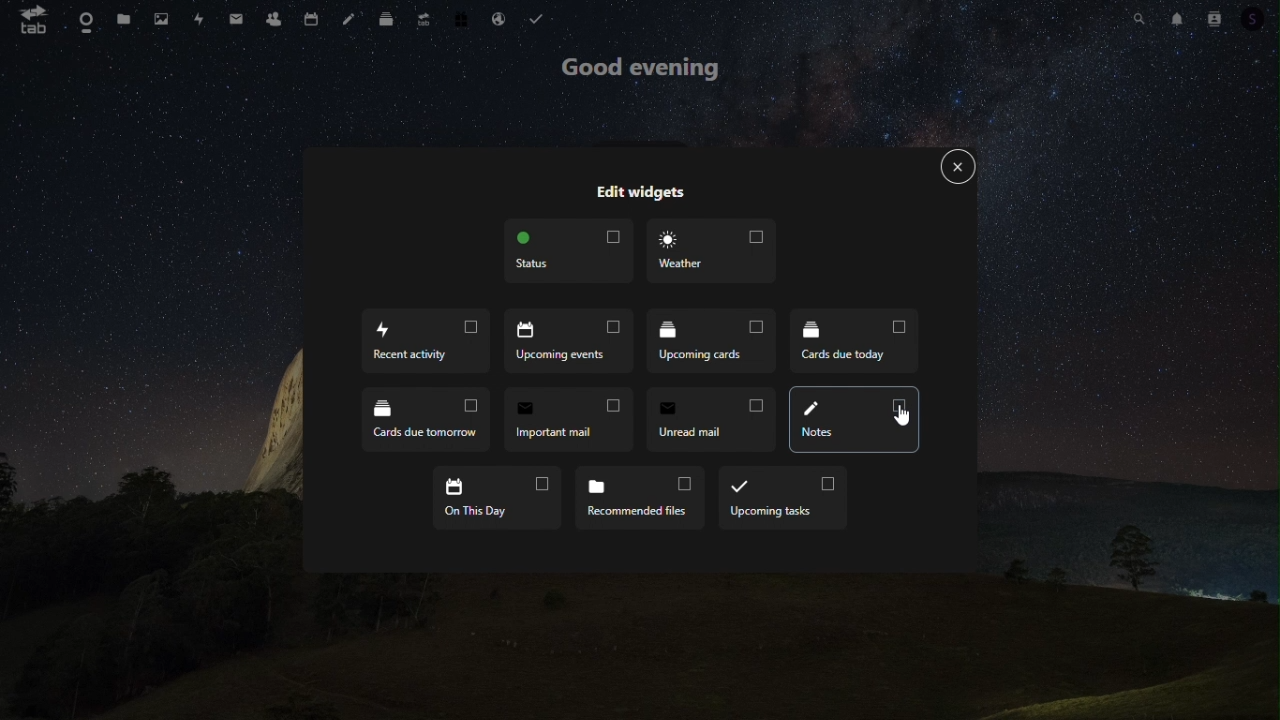 The image size is (1280, 720). What do you see at coordinates (424, 21) in the screenshot?
I see `upgrade` at bounding box center [424, 21].